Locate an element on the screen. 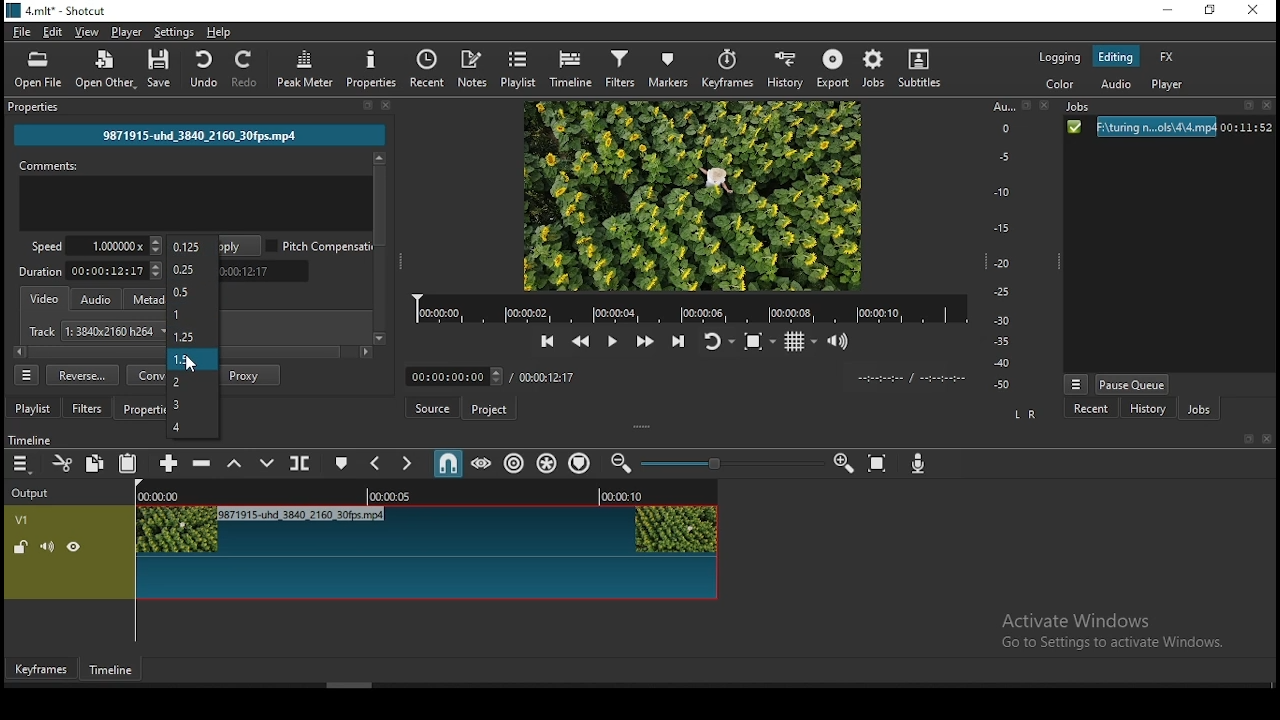  properties menu is located at coordinates (27, 375).